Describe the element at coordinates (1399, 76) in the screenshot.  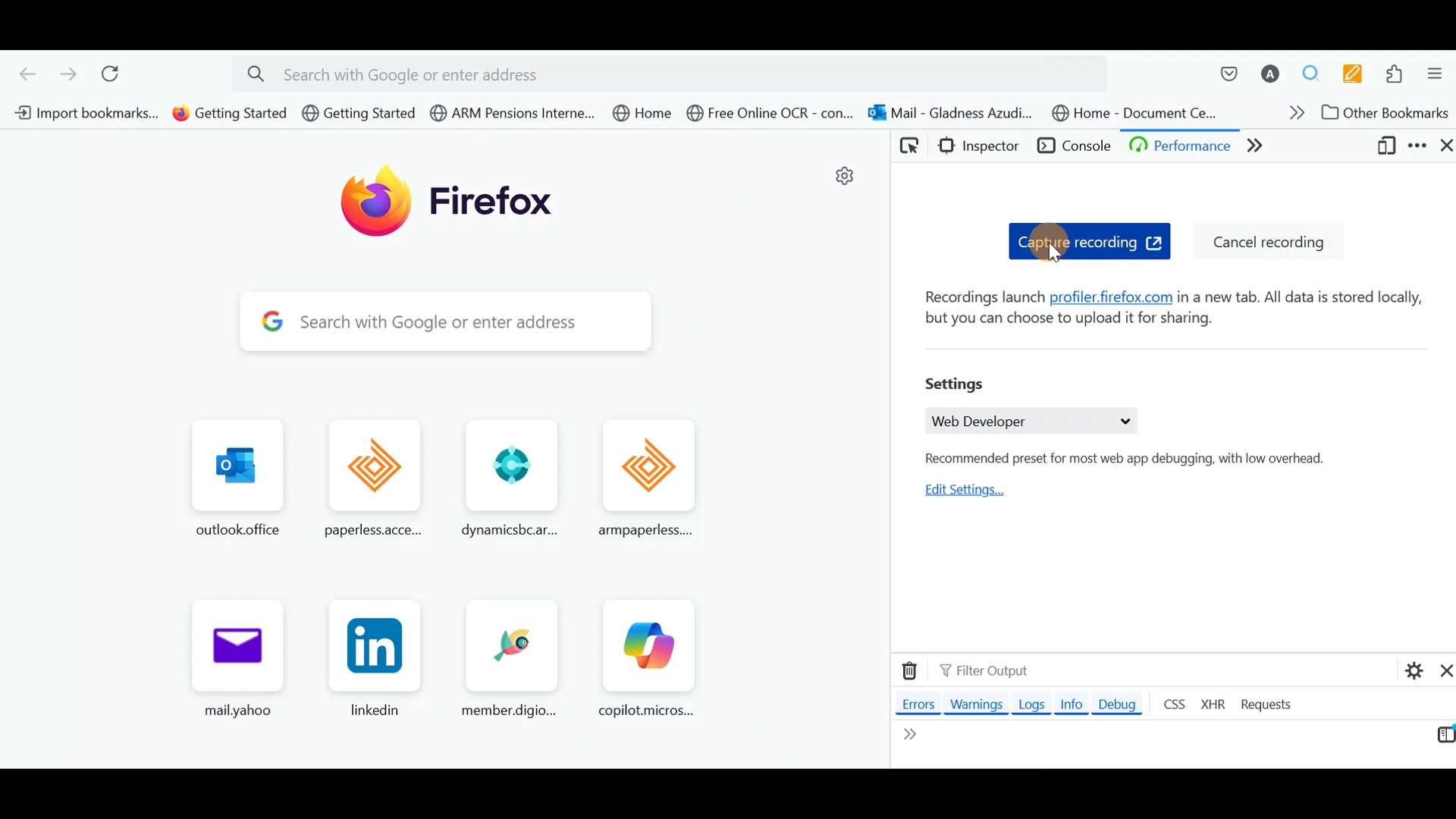
I see `Extensions` at that location.